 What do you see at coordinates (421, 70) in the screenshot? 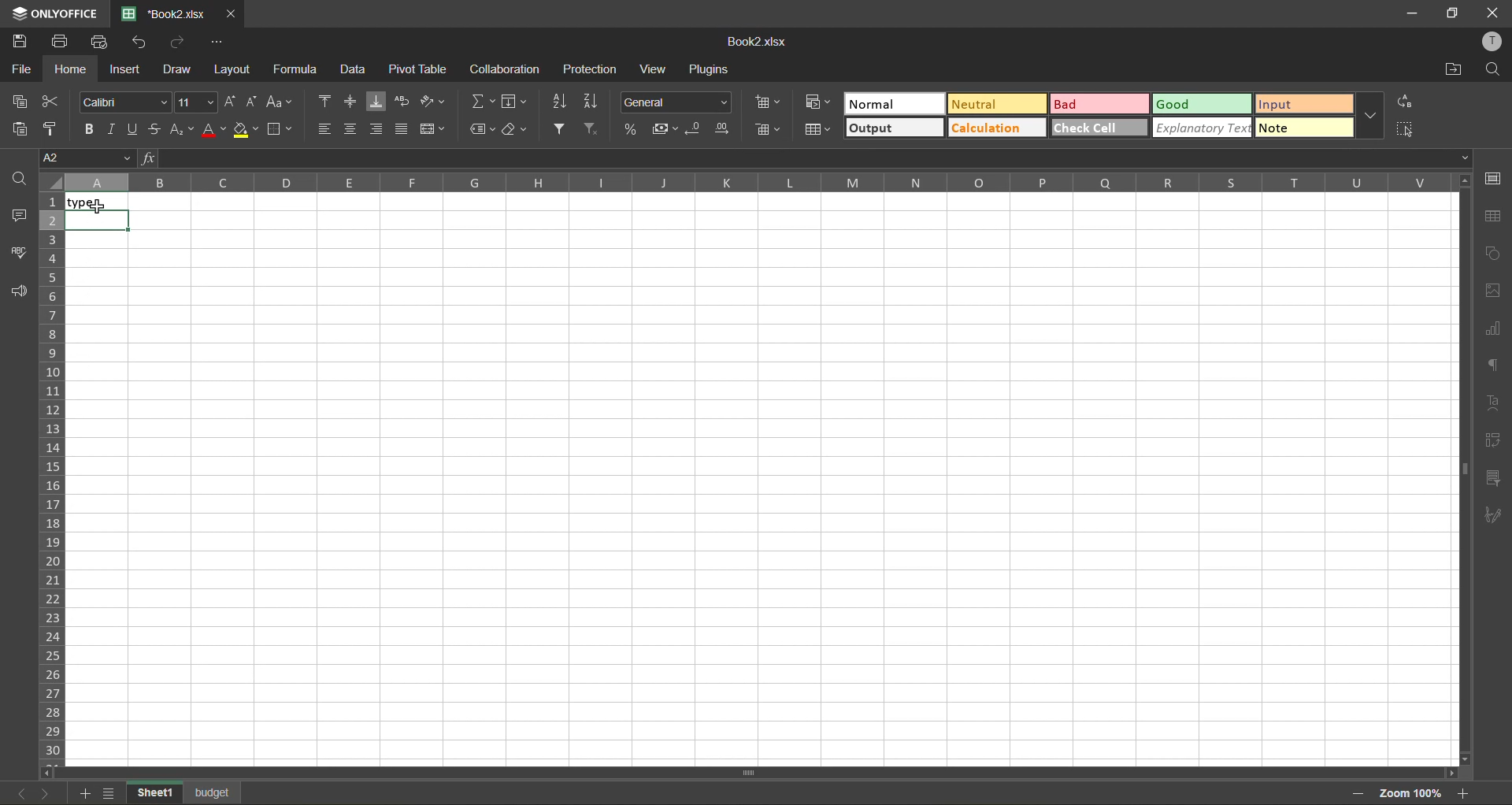
I see `pivot table` at bounding box center [421, 70].